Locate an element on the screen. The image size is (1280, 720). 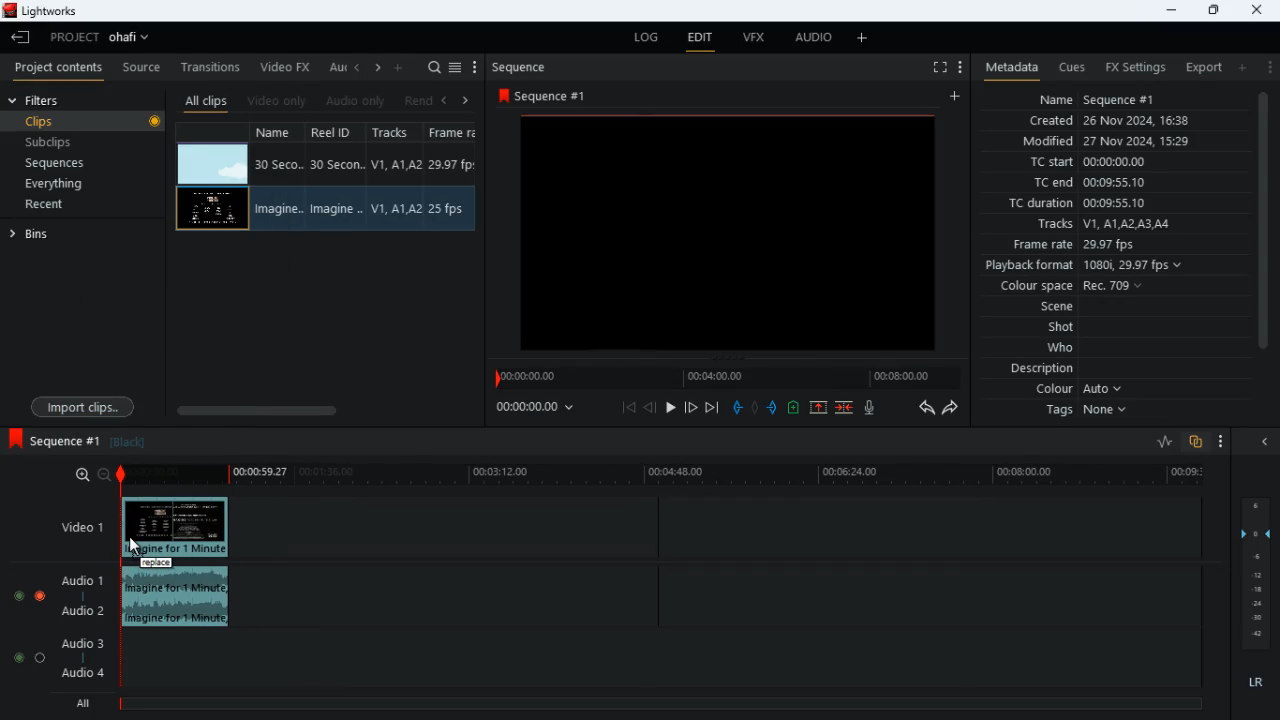
merge is located at coordinates (846, 409).